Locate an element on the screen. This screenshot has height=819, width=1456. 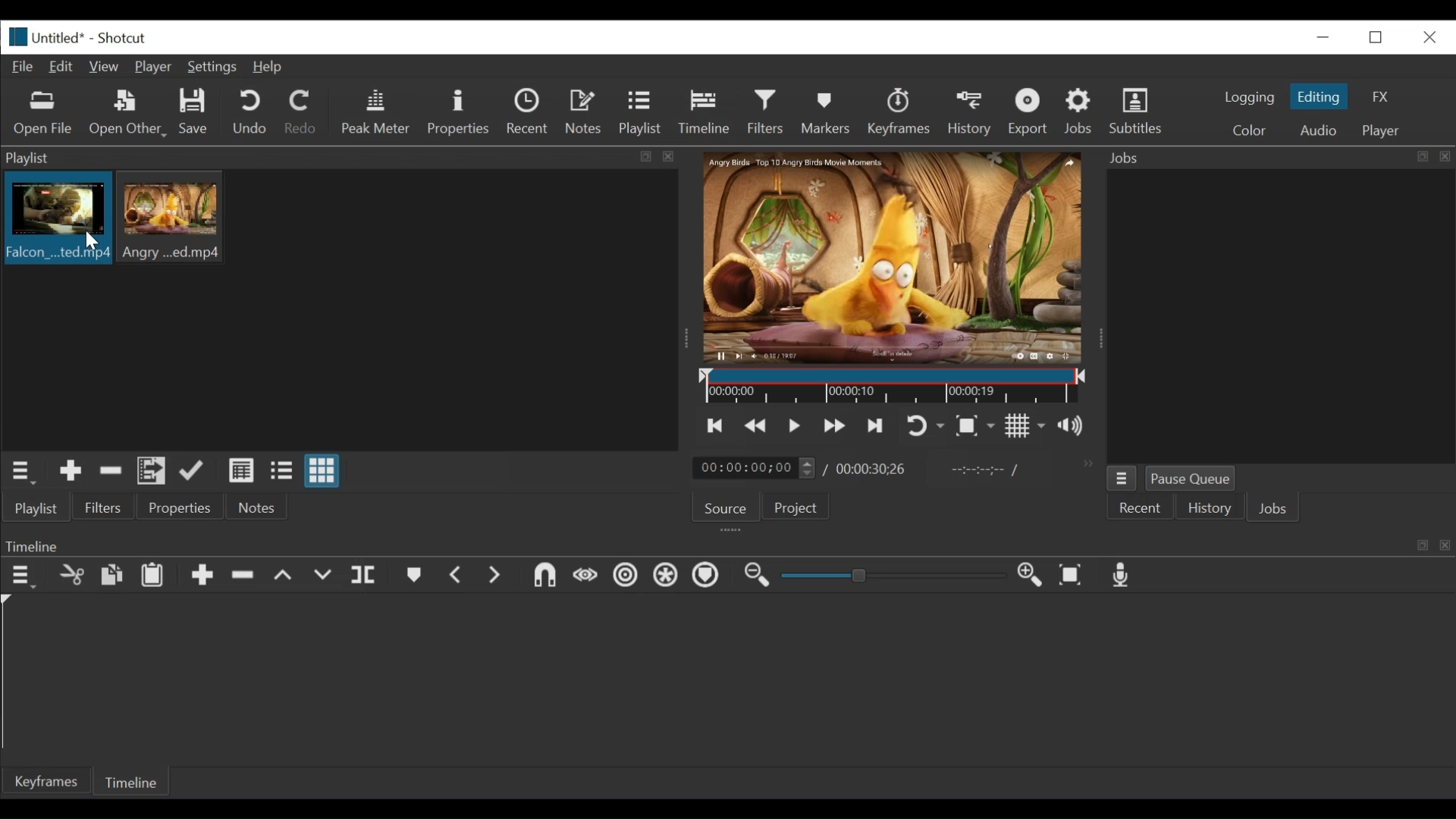
Source is located at coordinates (724, 510).